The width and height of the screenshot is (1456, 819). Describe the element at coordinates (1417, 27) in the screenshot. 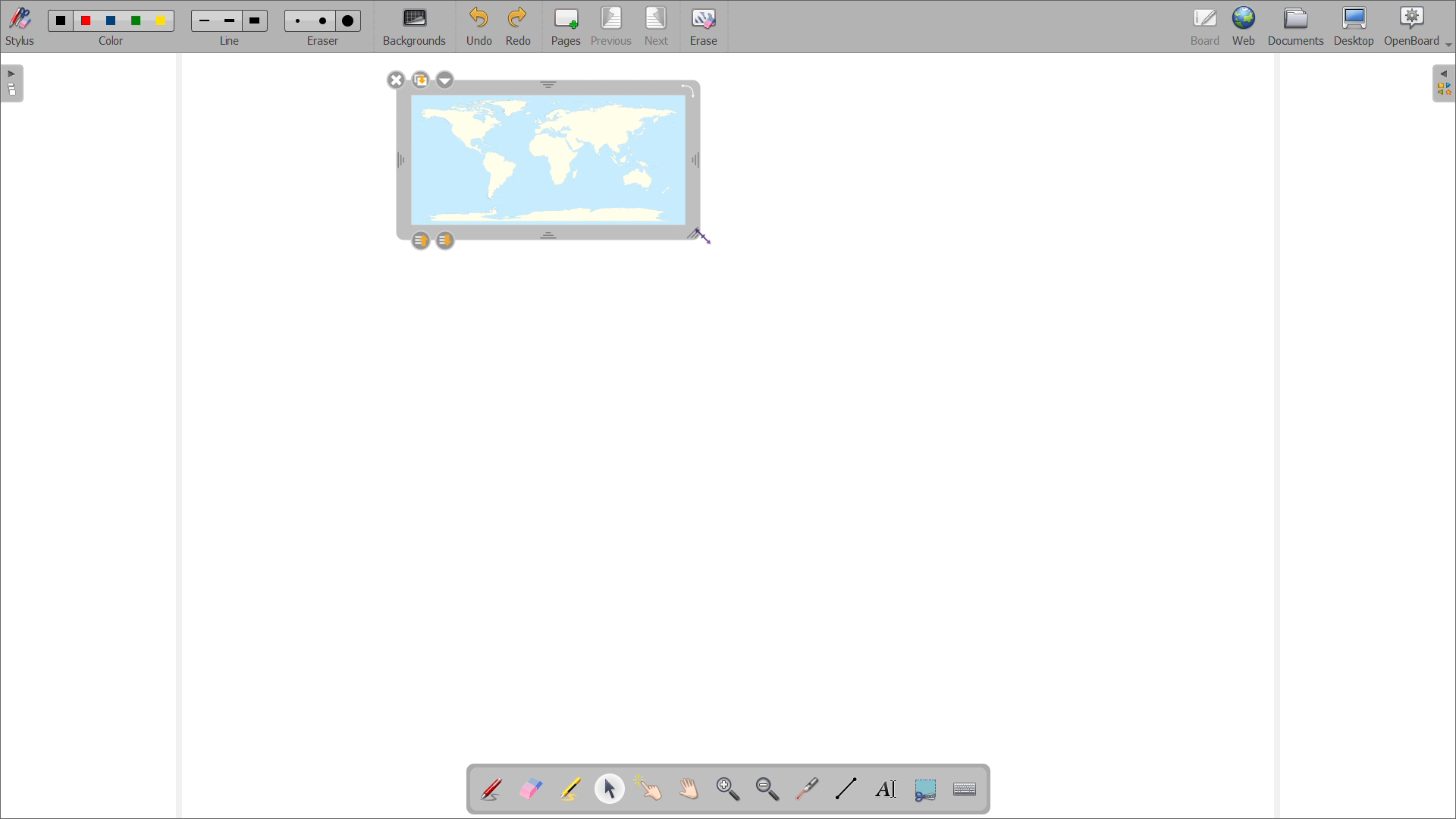

I see `openboard settings` at that location.